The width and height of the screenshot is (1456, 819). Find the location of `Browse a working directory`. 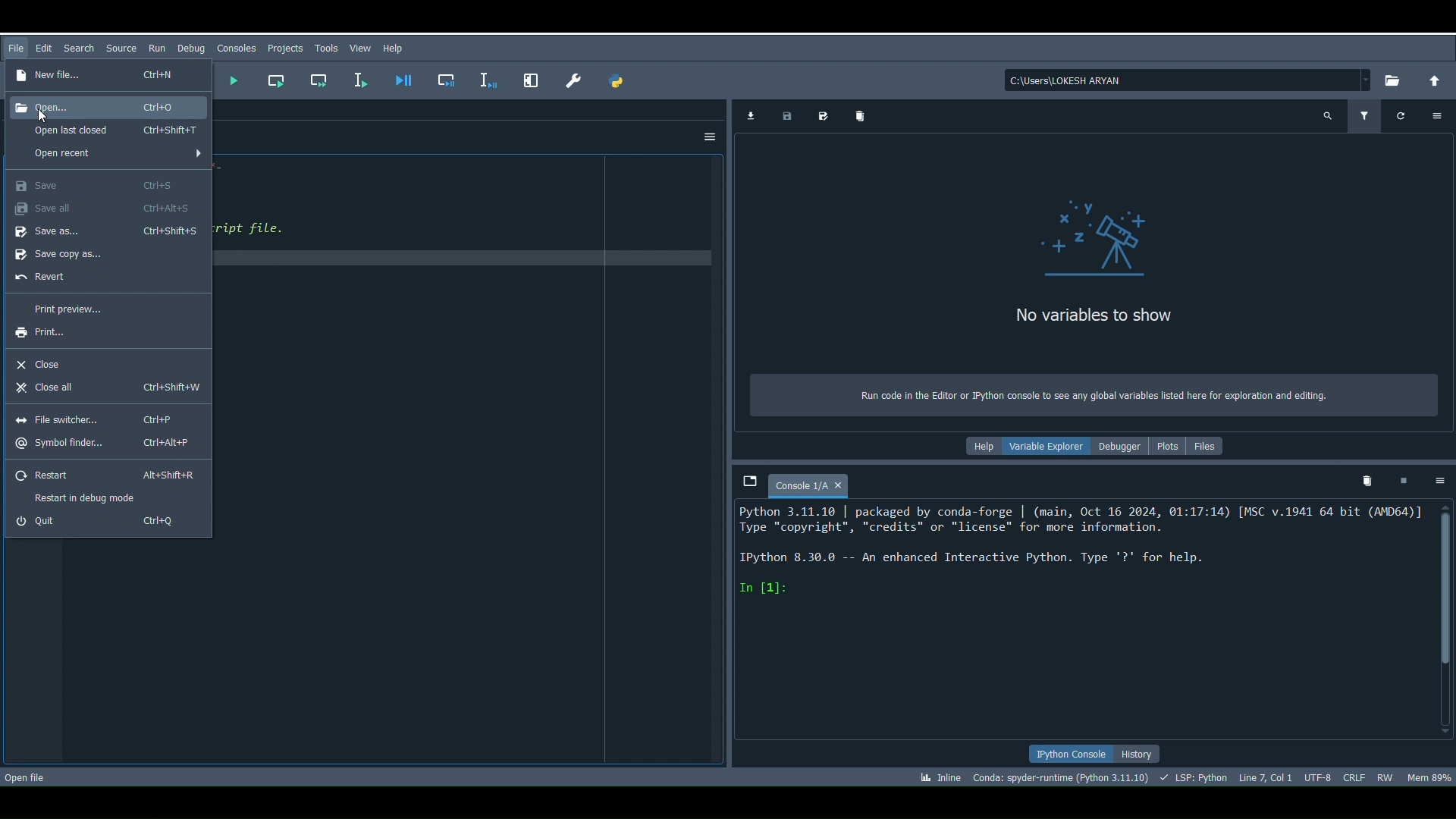

Browse a working directory is located at coordinates (1394, 80).